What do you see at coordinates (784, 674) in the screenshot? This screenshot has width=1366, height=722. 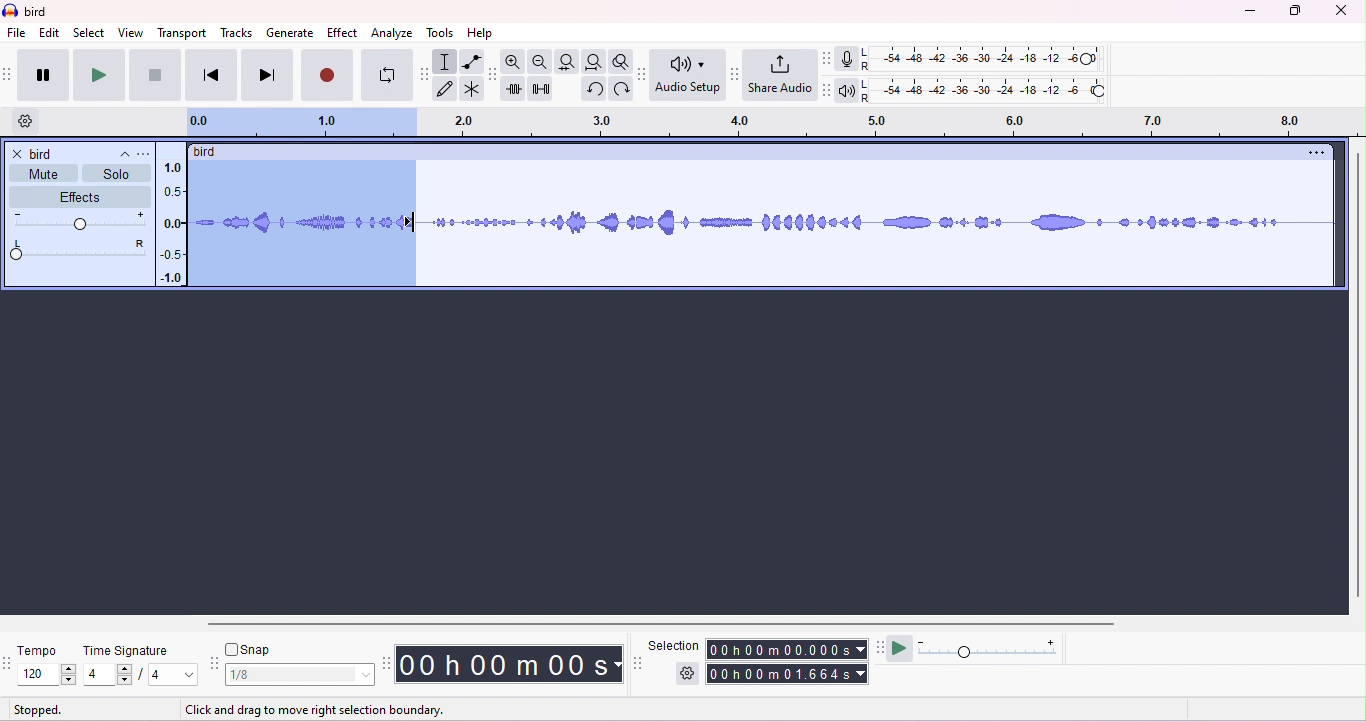 I see `00h 00m01.656s (end time) ` at bounding box center [784, 674].